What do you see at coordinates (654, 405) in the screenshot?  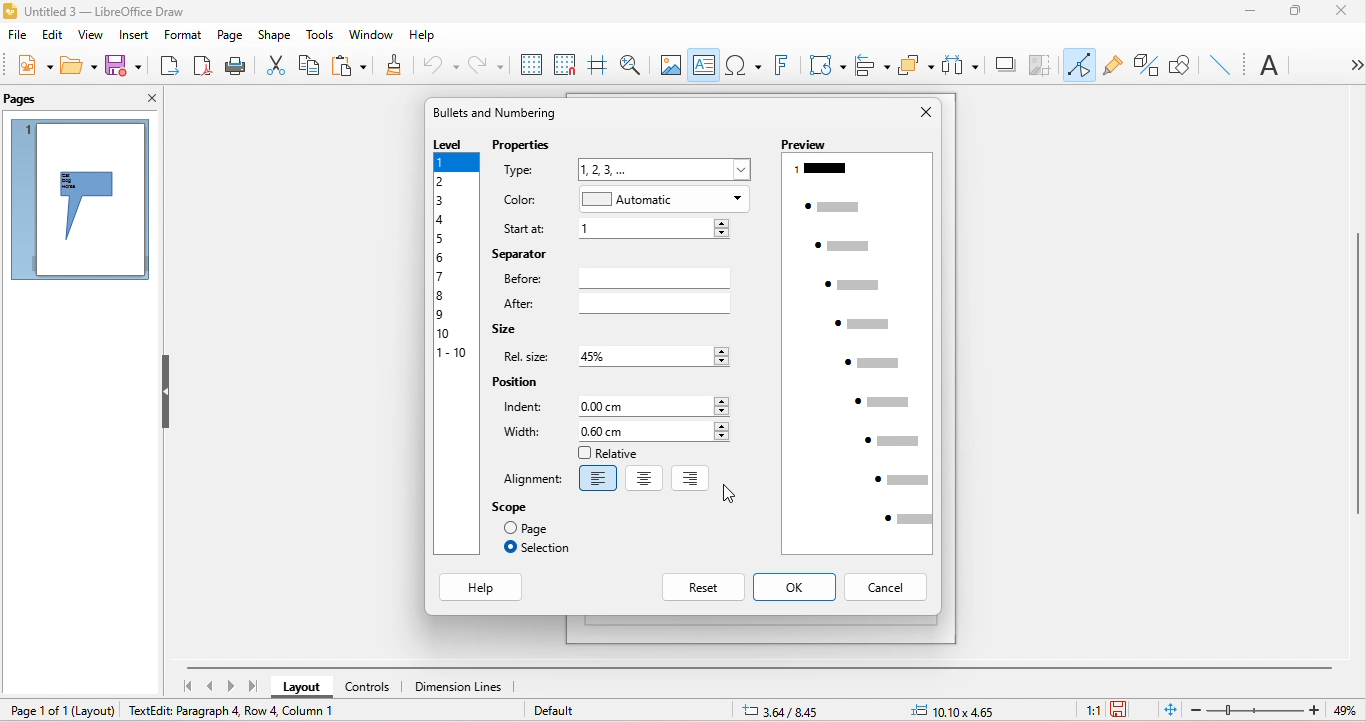 I see `0.00 cm` at bounding box center [654, 405].